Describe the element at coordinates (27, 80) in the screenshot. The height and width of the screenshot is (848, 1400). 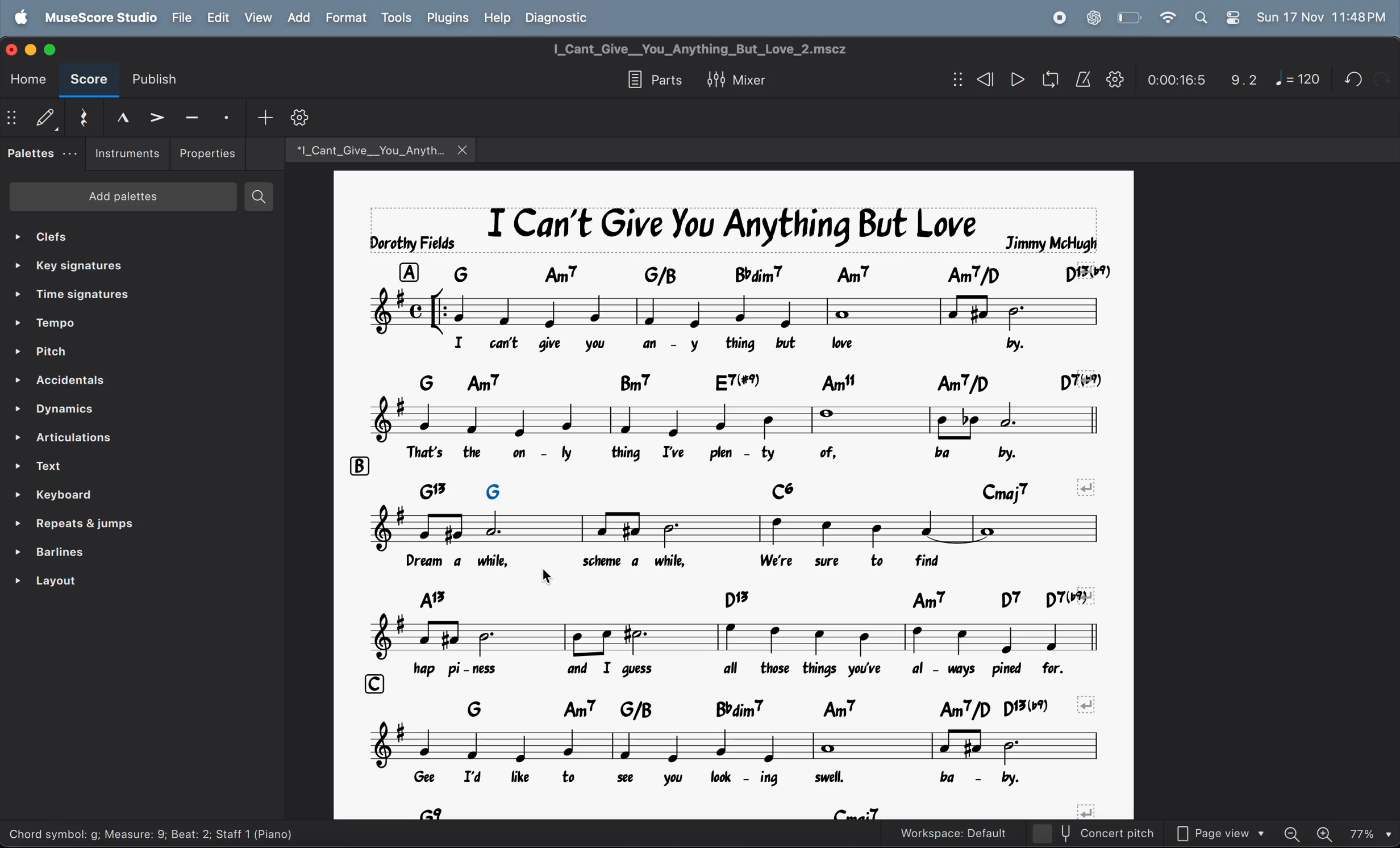
I see `home` at that location.